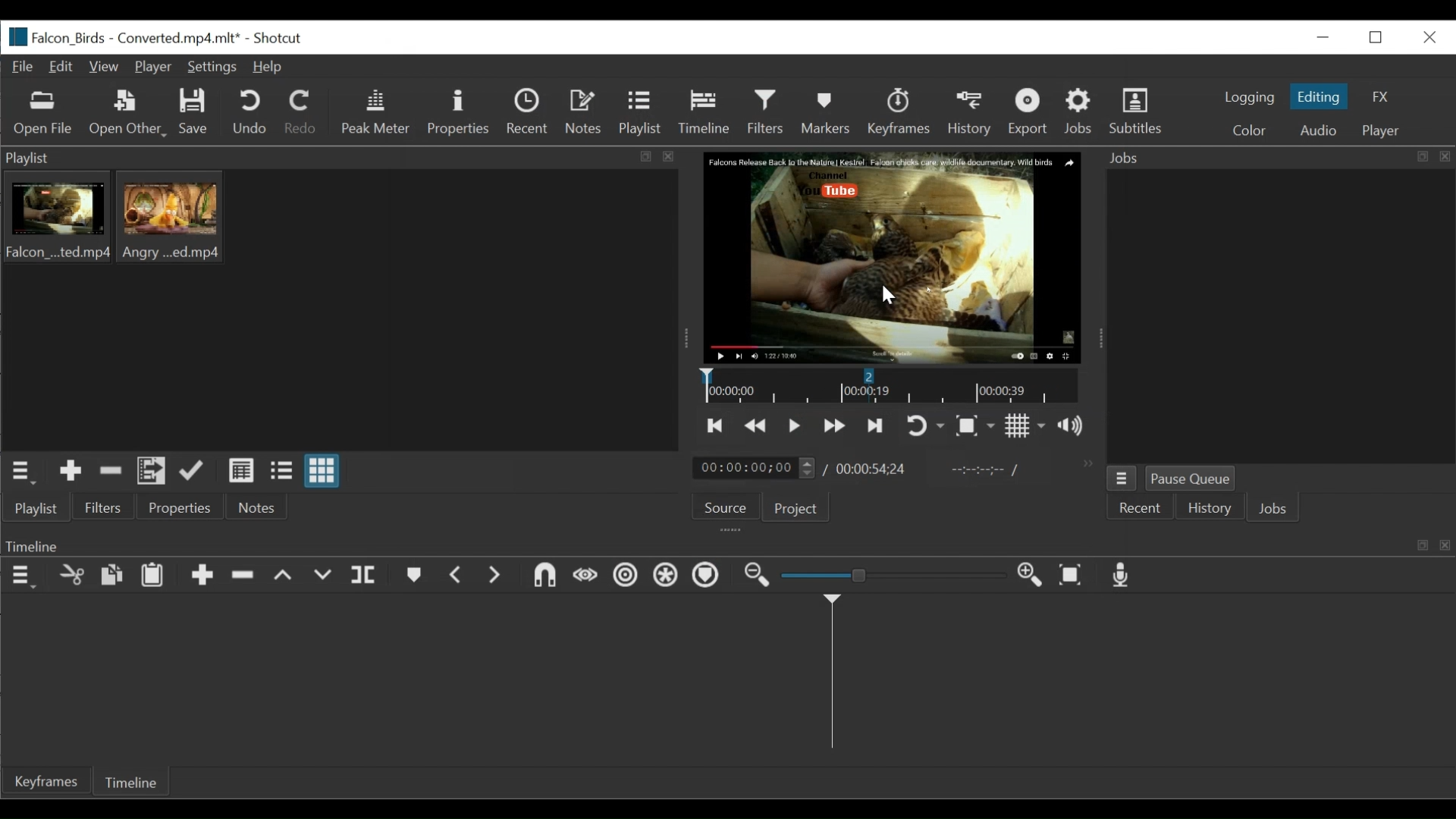 The height and width of the screenshot is (819, 1456). What do you see at coordinates (758, 427) in the screenshot?
I see `Play quickly backward` at bounding box center [758, 427].